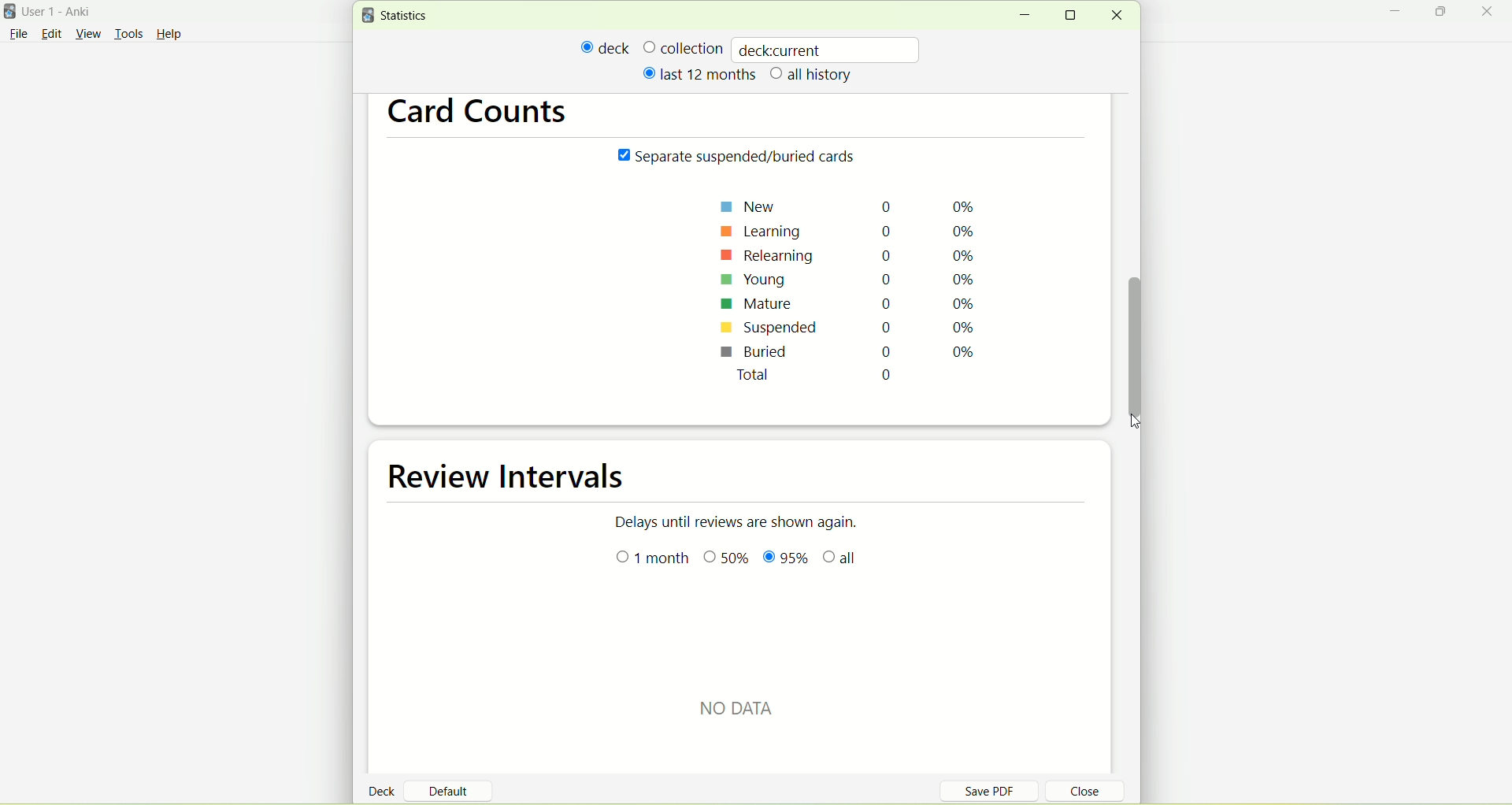 Image resolution: width=1512 pixels, height=805 pixels. Describe the element at coordinates (1490, 13) in the screenshot. I see `close` at that location.